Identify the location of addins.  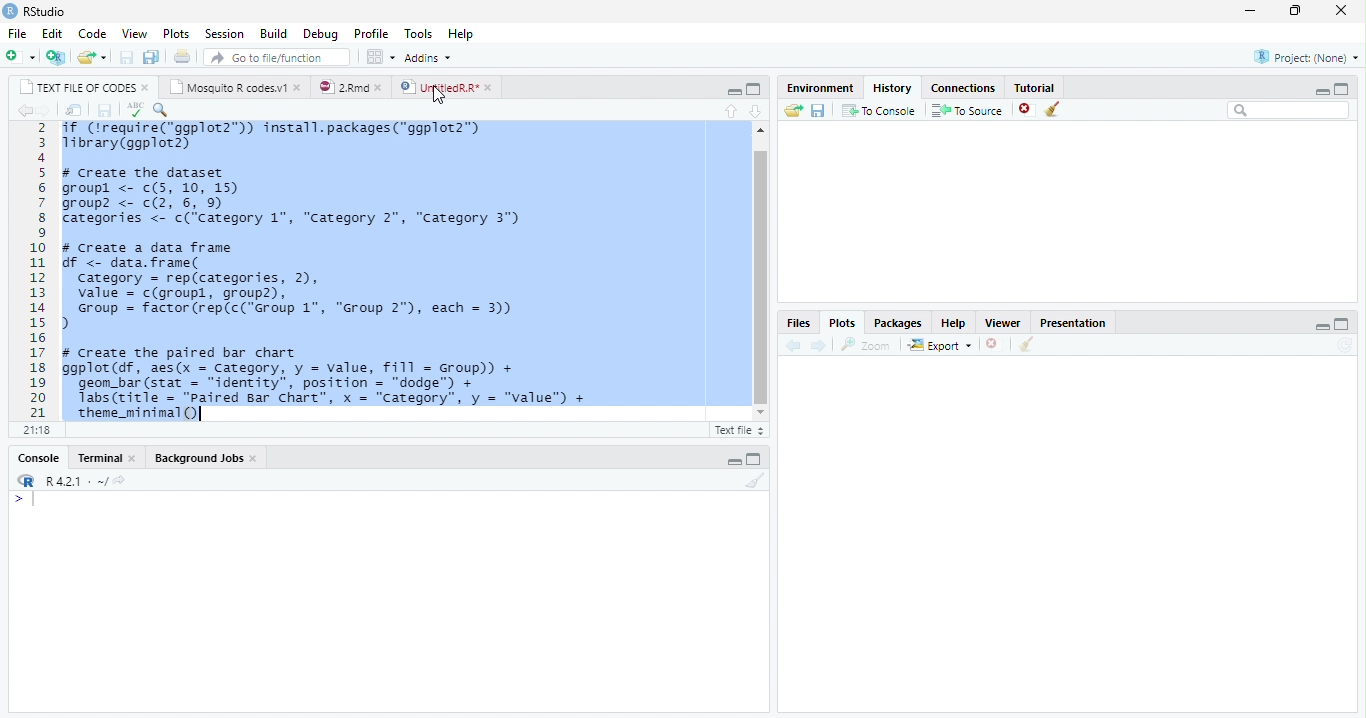
(431, 57).